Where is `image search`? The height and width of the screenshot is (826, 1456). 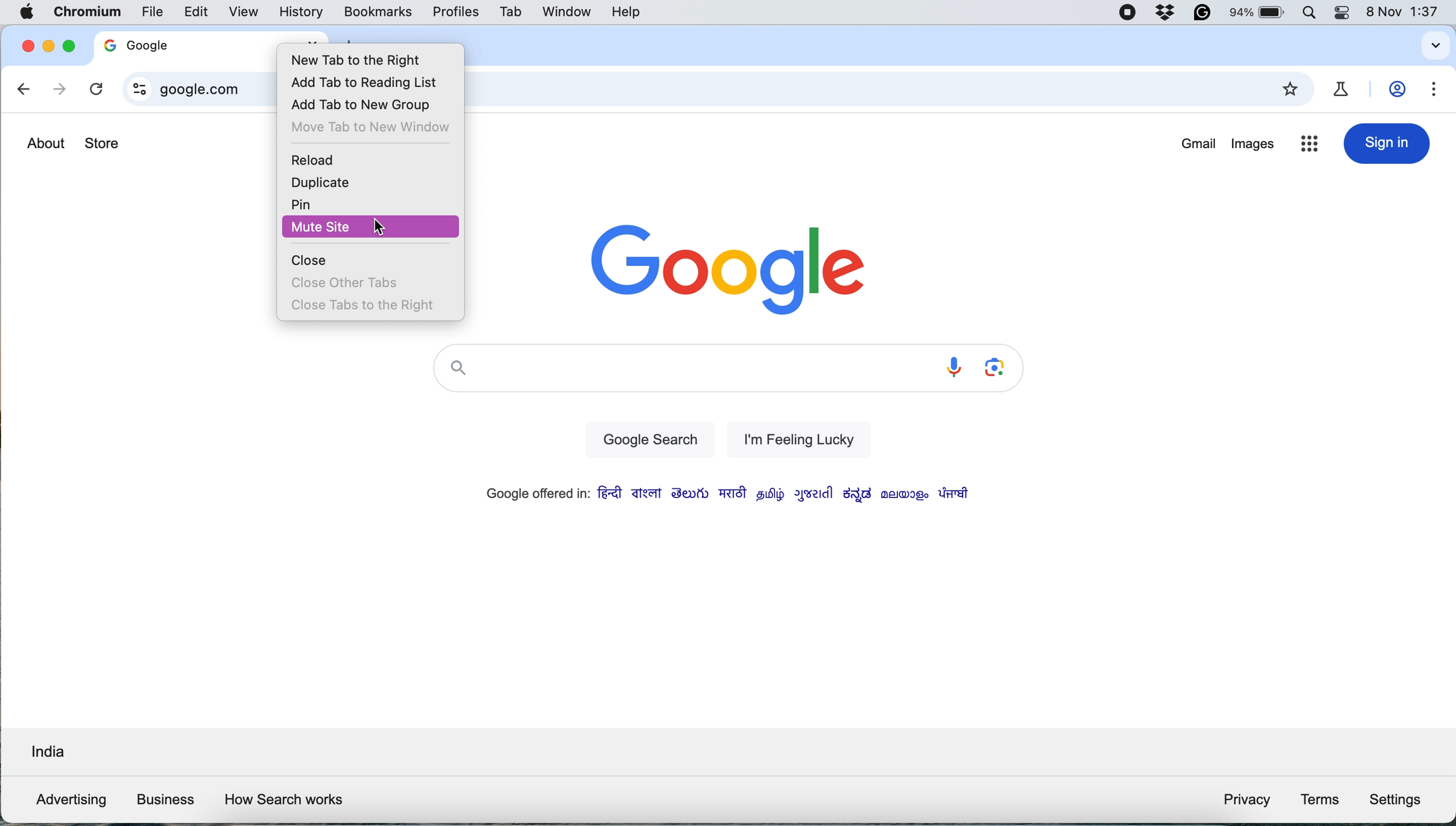
image search is located at coordinates (998, 368).